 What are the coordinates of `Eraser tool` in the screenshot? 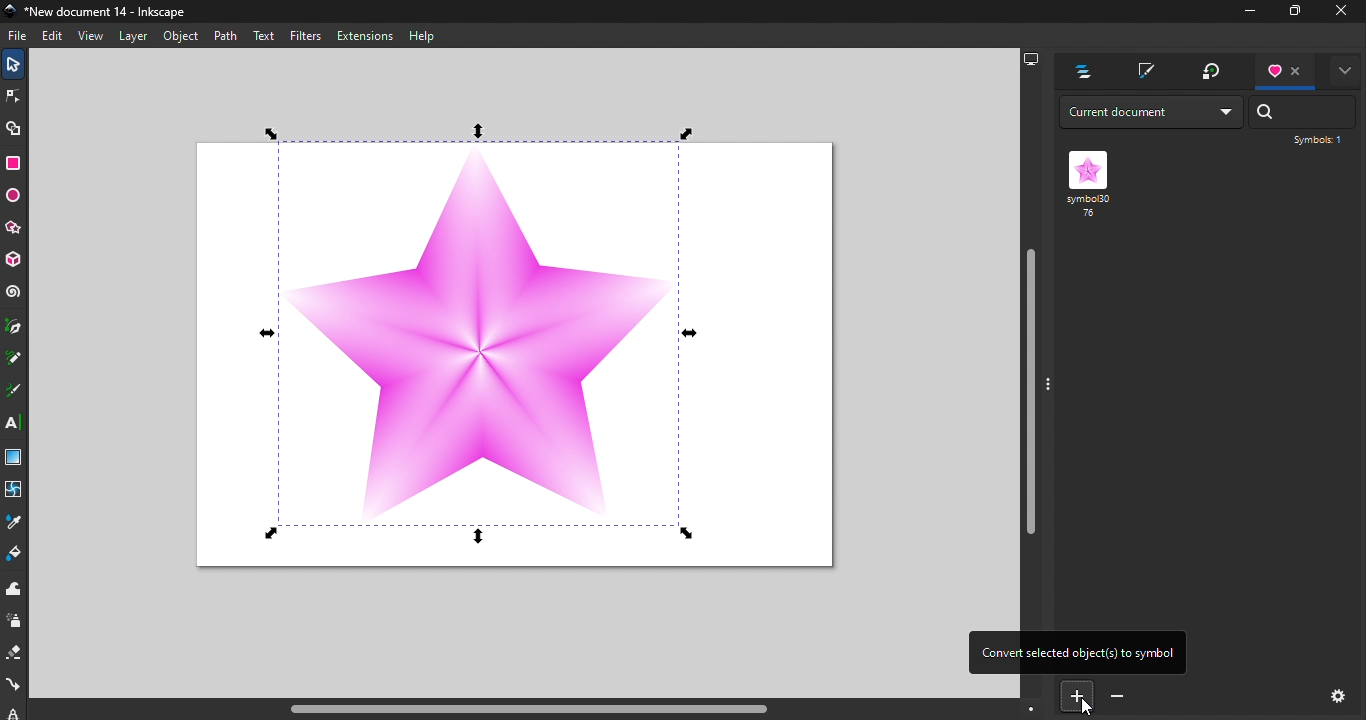 It's located at (16, 653).